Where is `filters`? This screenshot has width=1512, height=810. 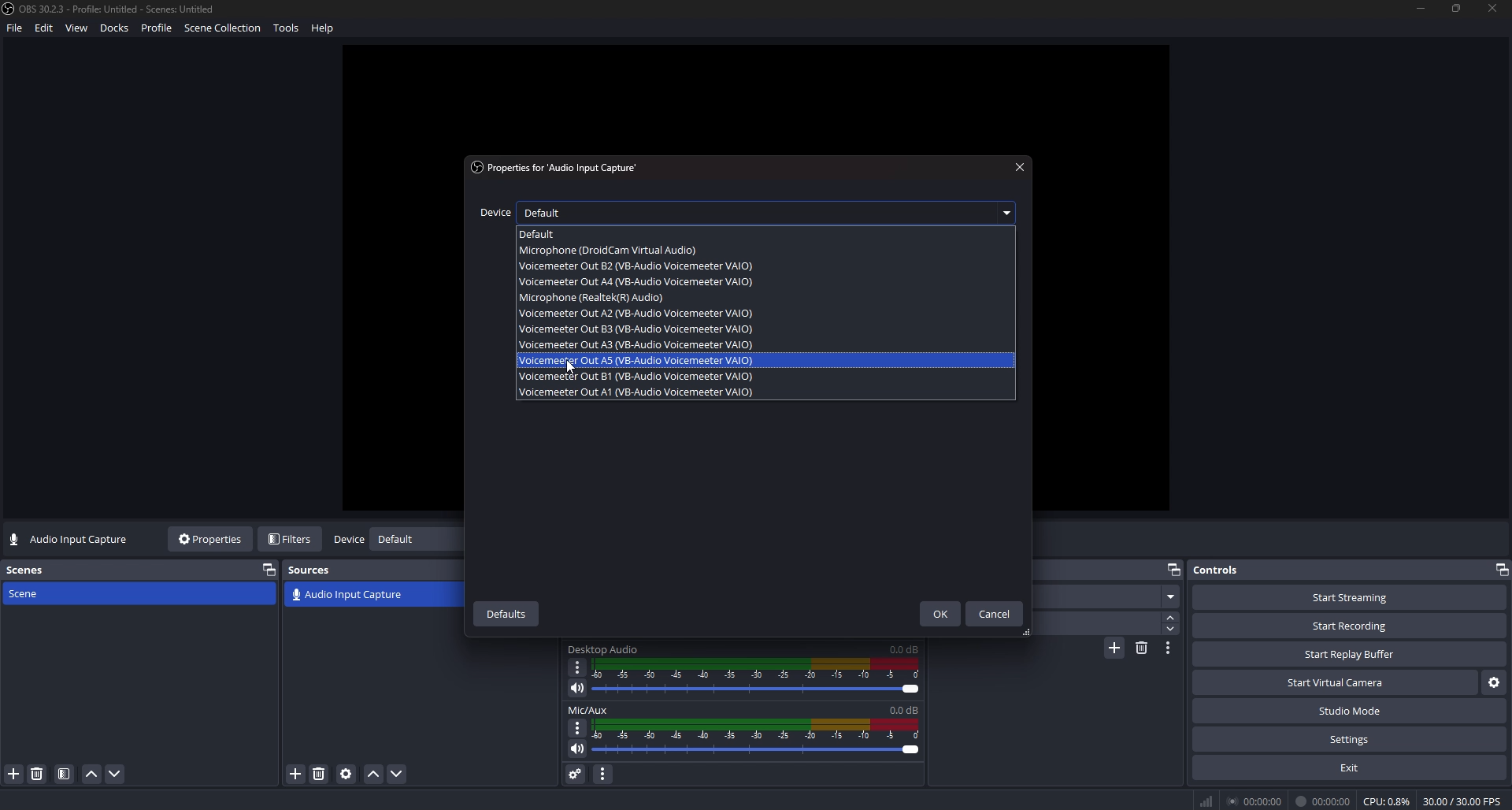 filters is located at coordinates (292, 539).